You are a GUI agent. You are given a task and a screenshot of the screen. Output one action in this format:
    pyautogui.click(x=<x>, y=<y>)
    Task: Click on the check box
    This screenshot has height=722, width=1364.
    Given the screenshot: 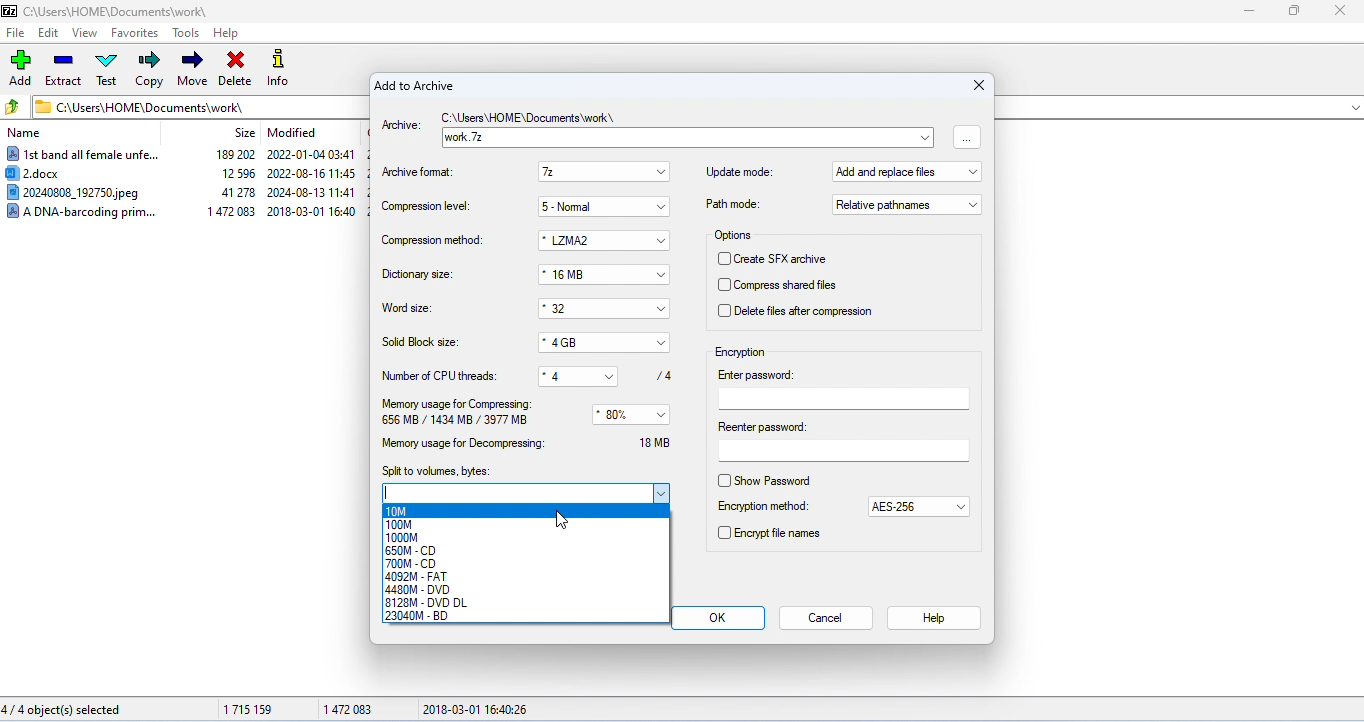 What is the action you would take?
    pyautogui.click(x=723, y=532)
    